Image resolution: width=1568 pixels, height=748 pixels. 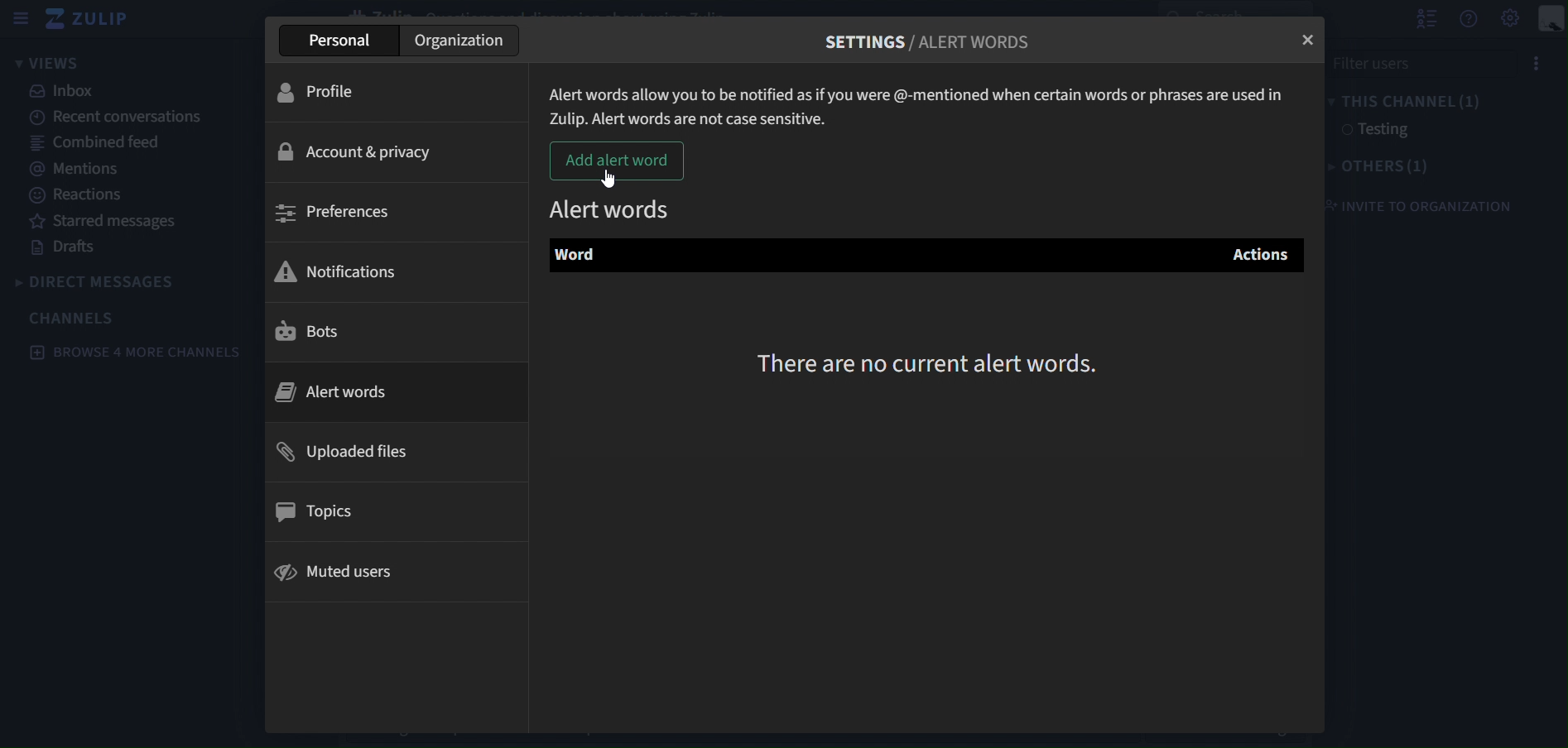 What do you see at coordinates (336, 39) in the screenshot?
I see `personal` at bounding box center [336, 39].